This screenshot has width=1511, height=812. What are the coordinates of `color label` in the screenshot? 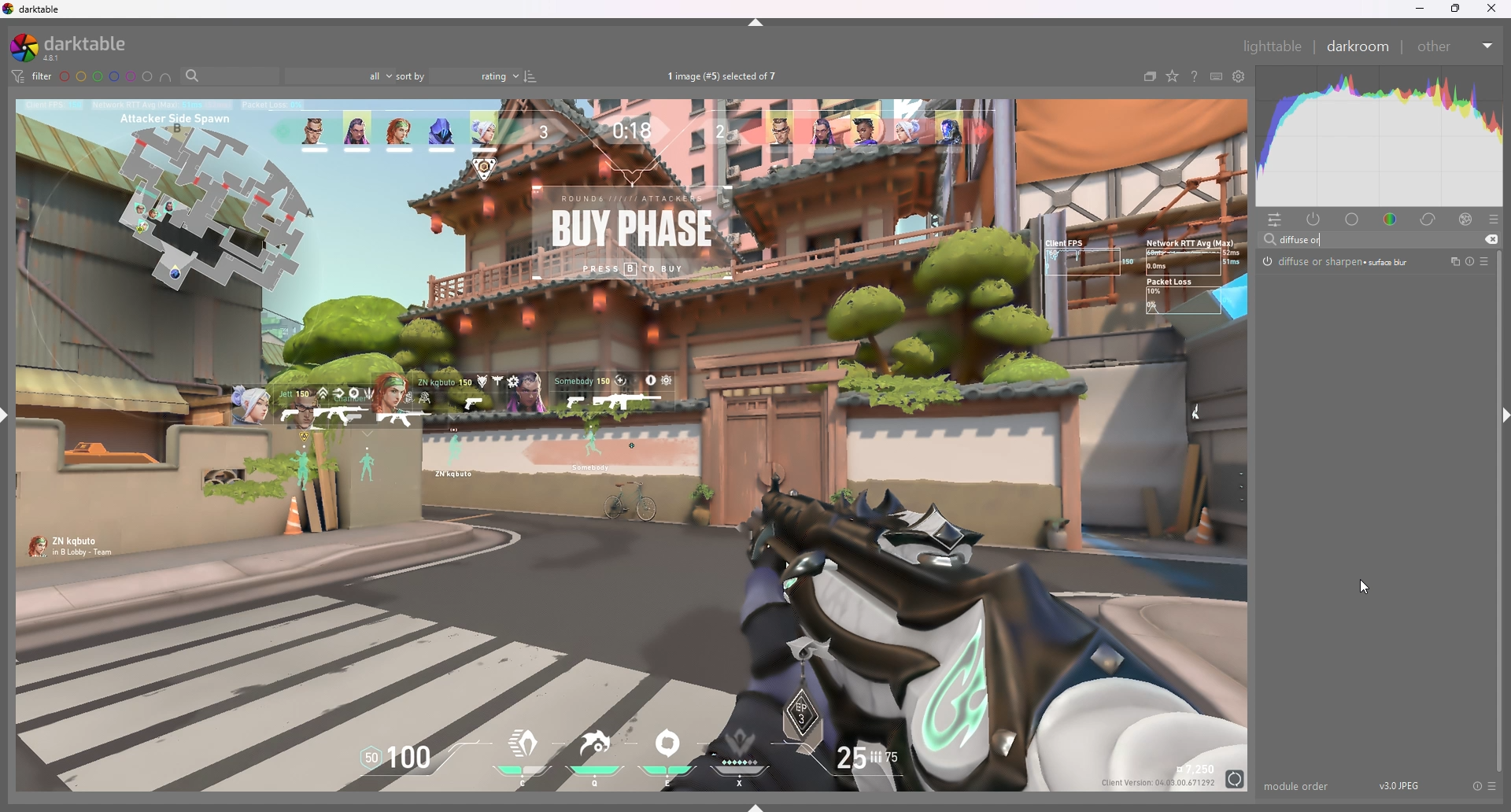 It's located at (105, 76).